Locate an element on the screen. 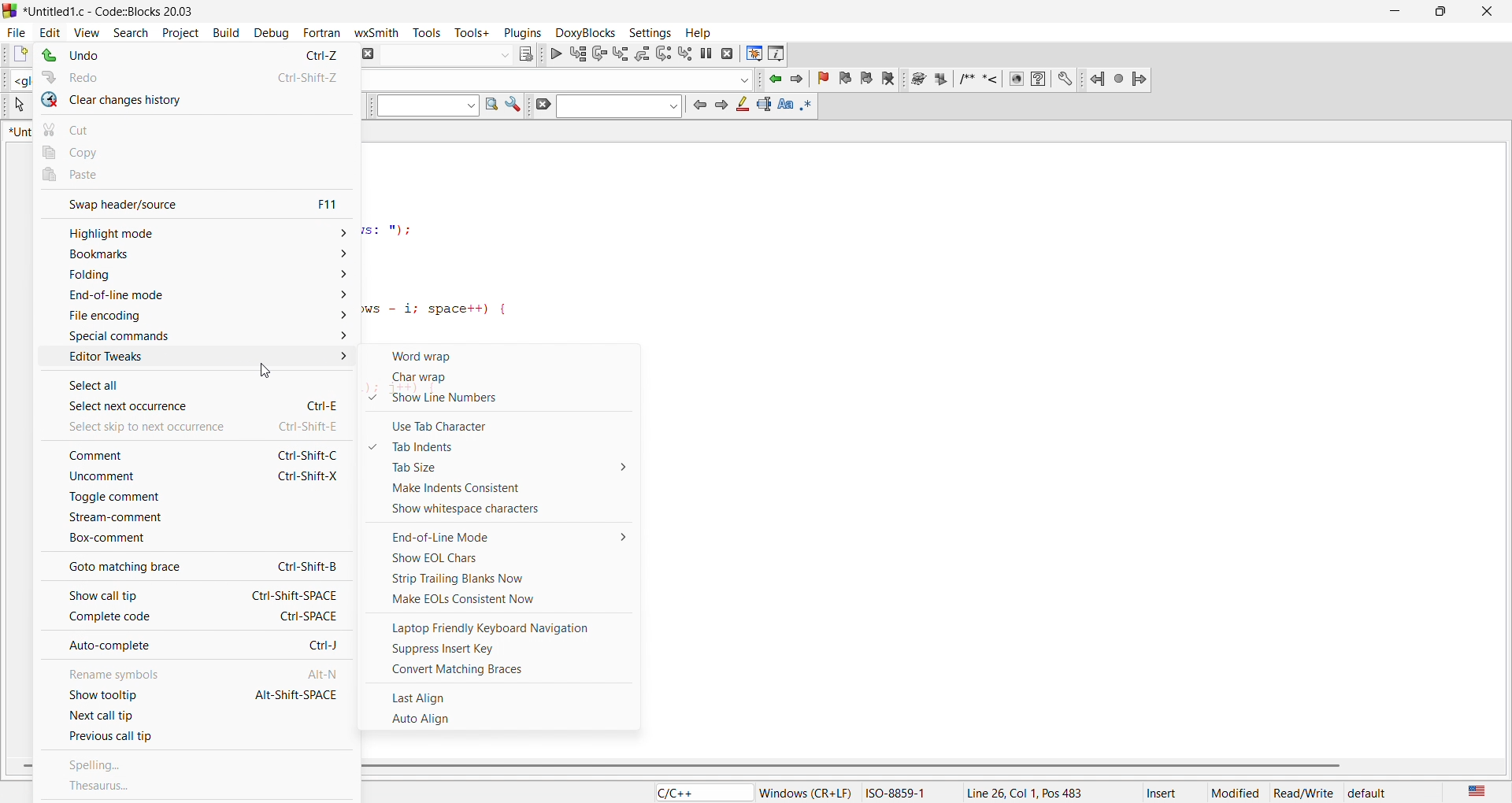 The image size is (1512, 803). Ctrl-Shift-Z is located at coordinates (304, 77).